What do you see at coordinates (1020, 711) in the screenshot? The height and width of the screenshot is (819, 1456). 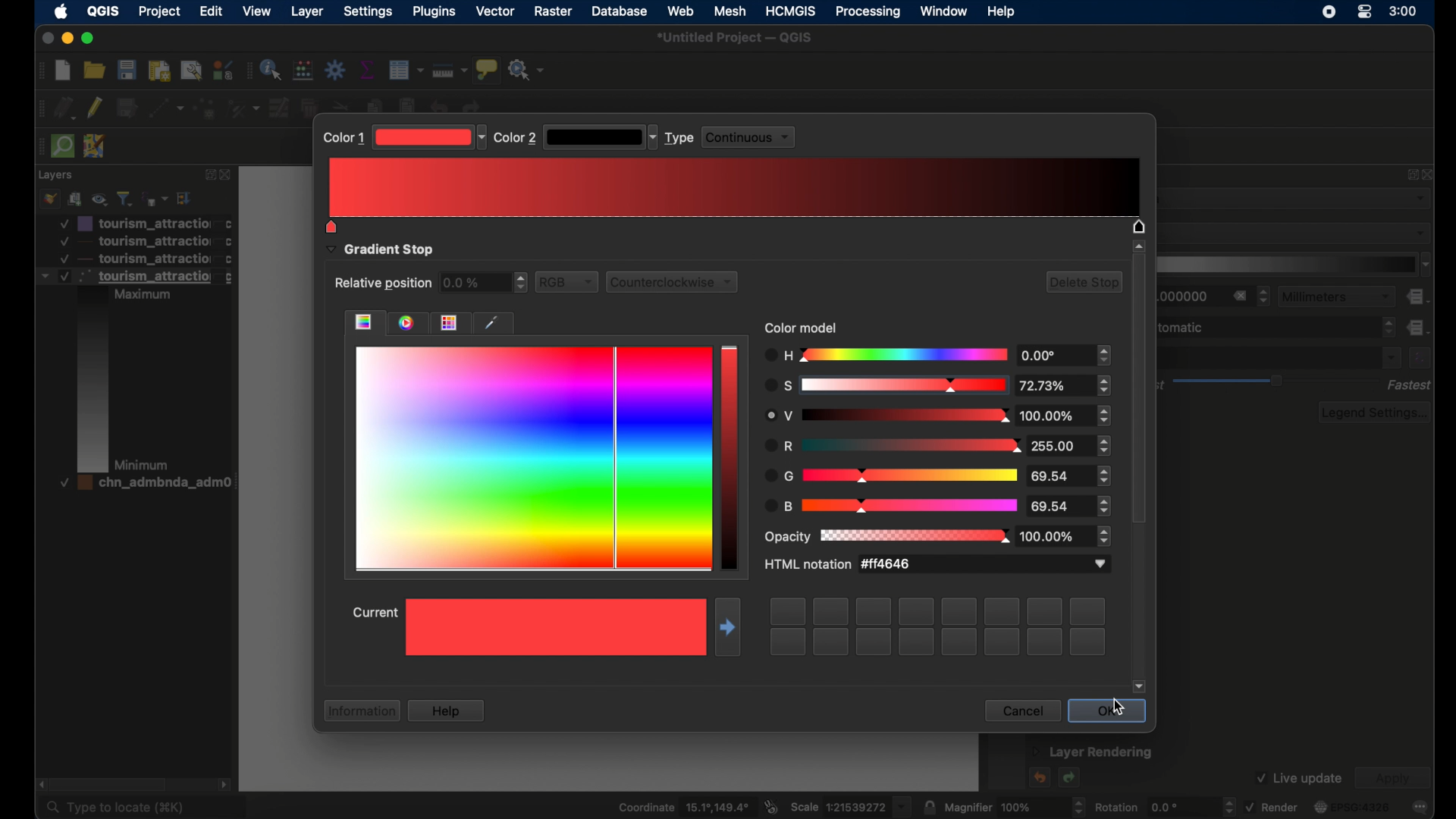 I see `cancel` at bounding box center [1020, 711].